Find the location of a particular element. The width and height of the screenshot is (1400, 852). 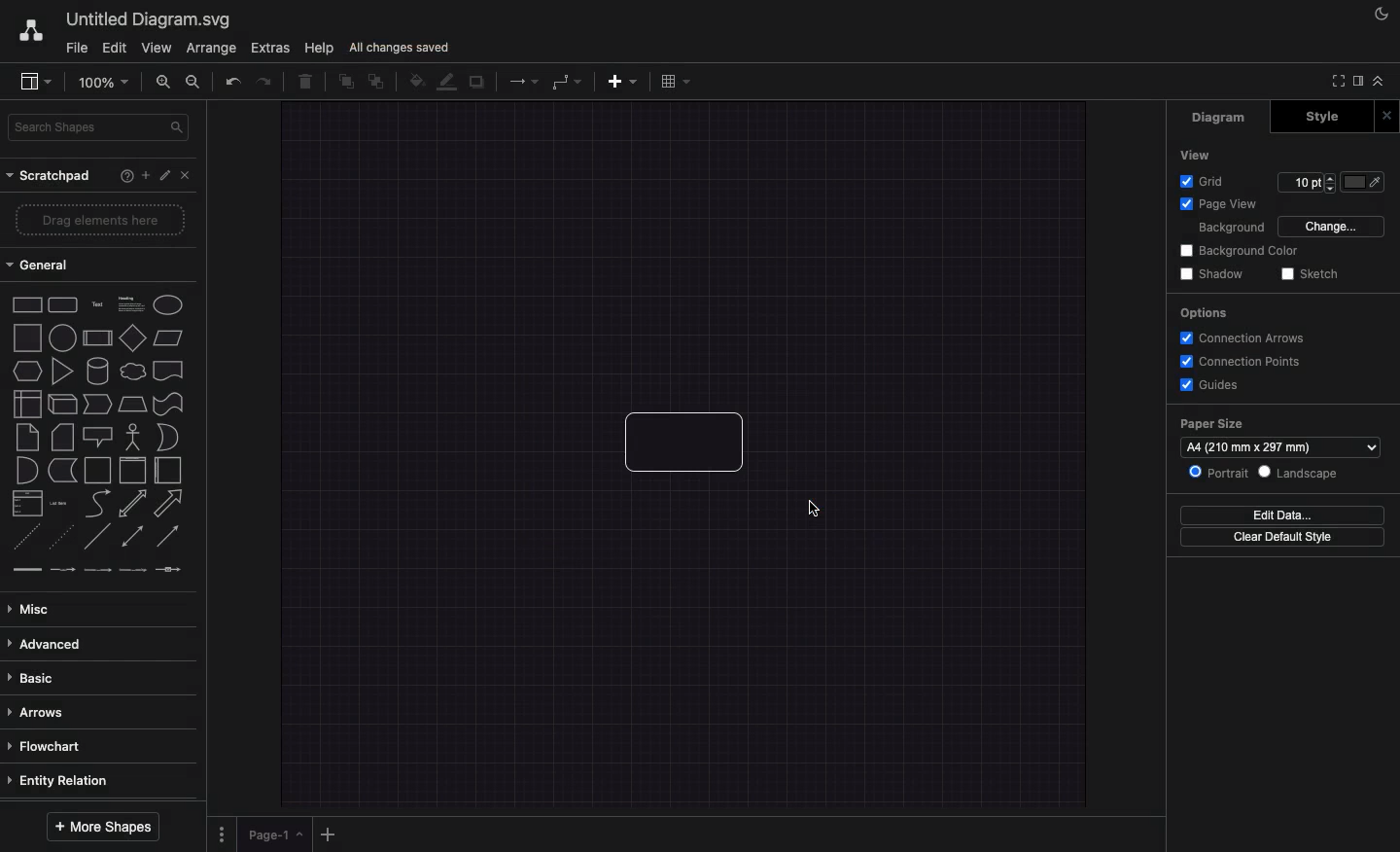

Drag elements here is located at coordinates (95, 222).